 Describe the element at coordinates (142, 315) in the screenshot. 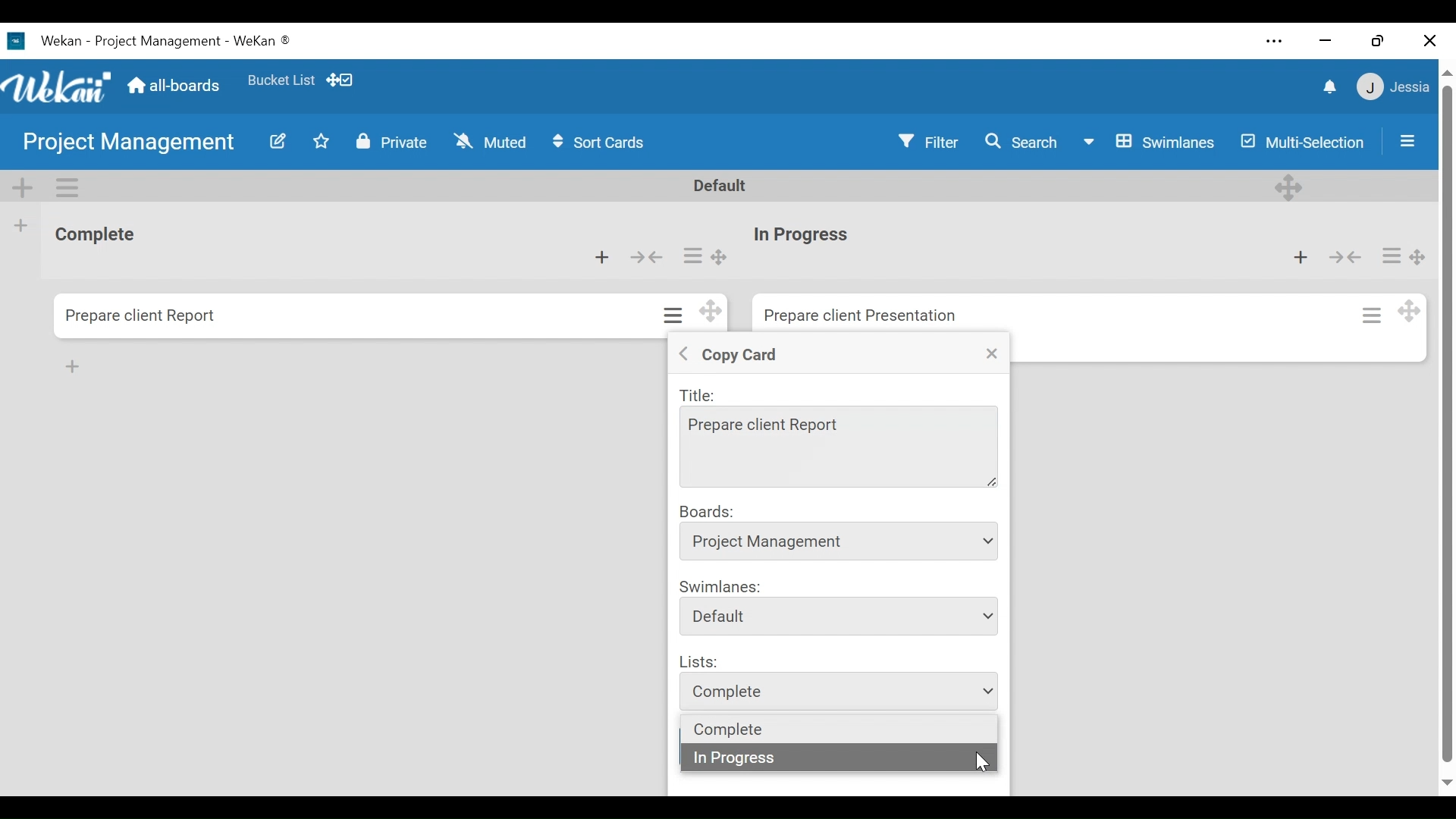

I see `Card Title` at that location.